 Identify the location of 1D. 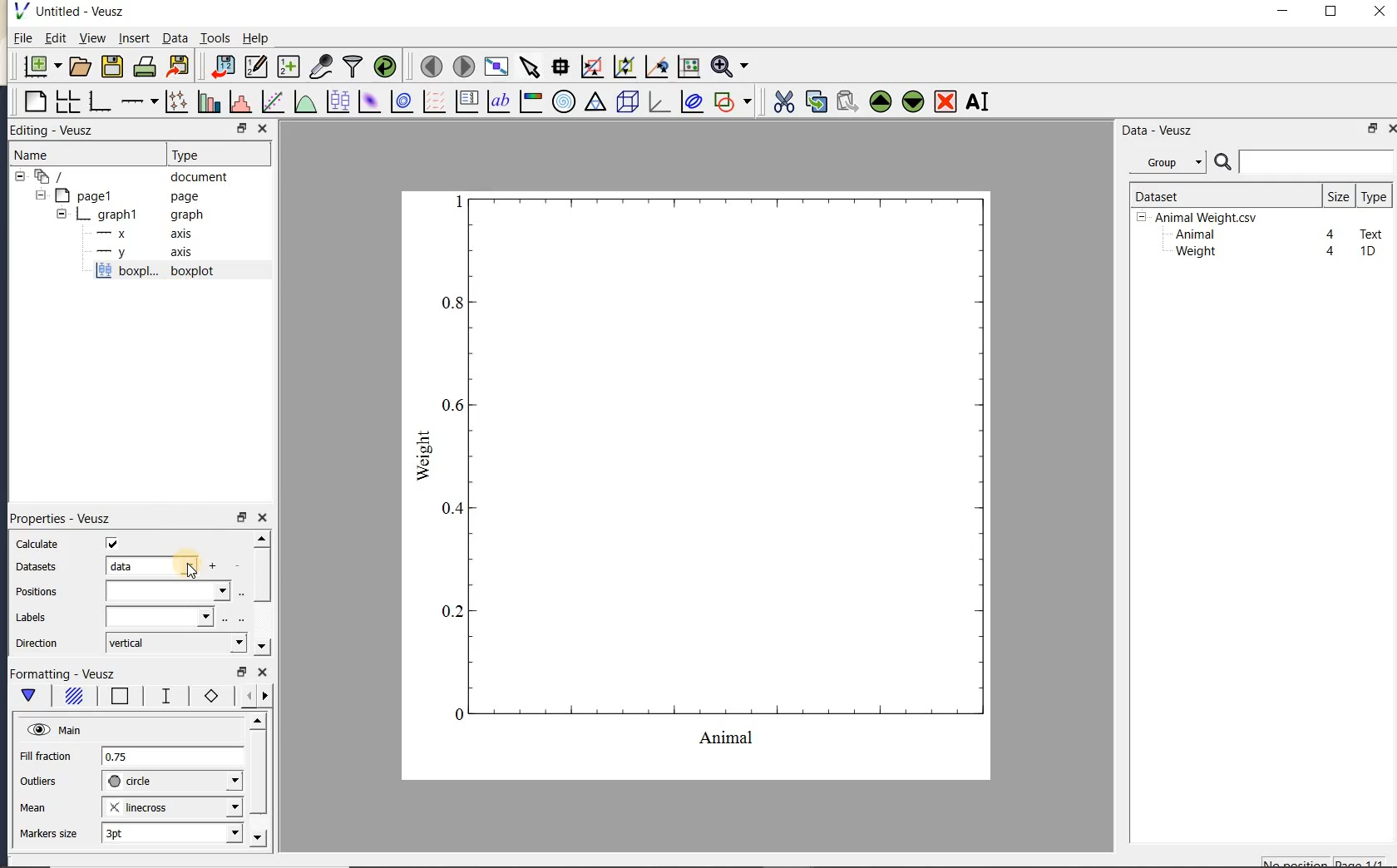
(1367, 251).